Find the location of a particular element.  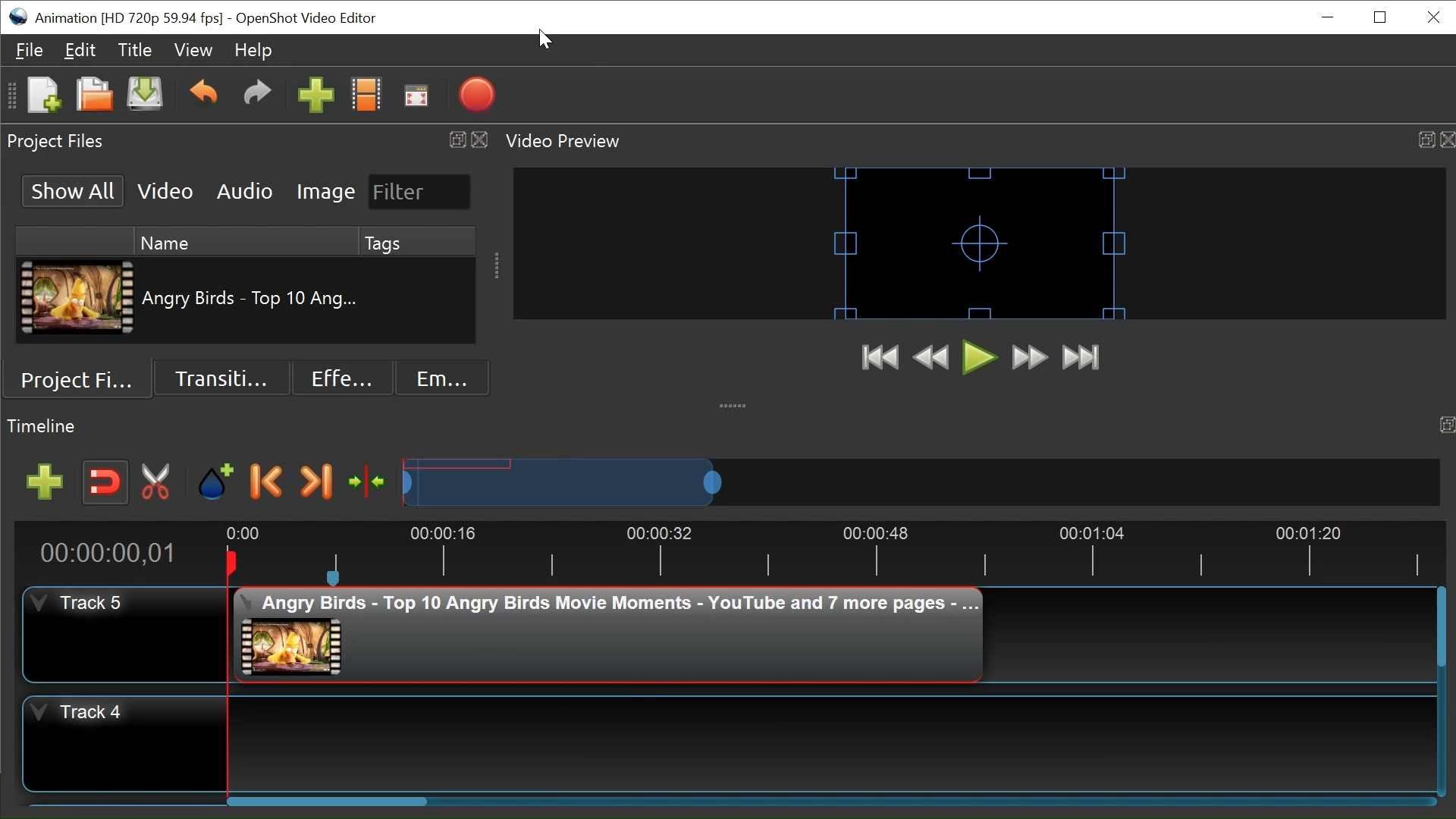

Emoji is located at coordinates (431, 379).